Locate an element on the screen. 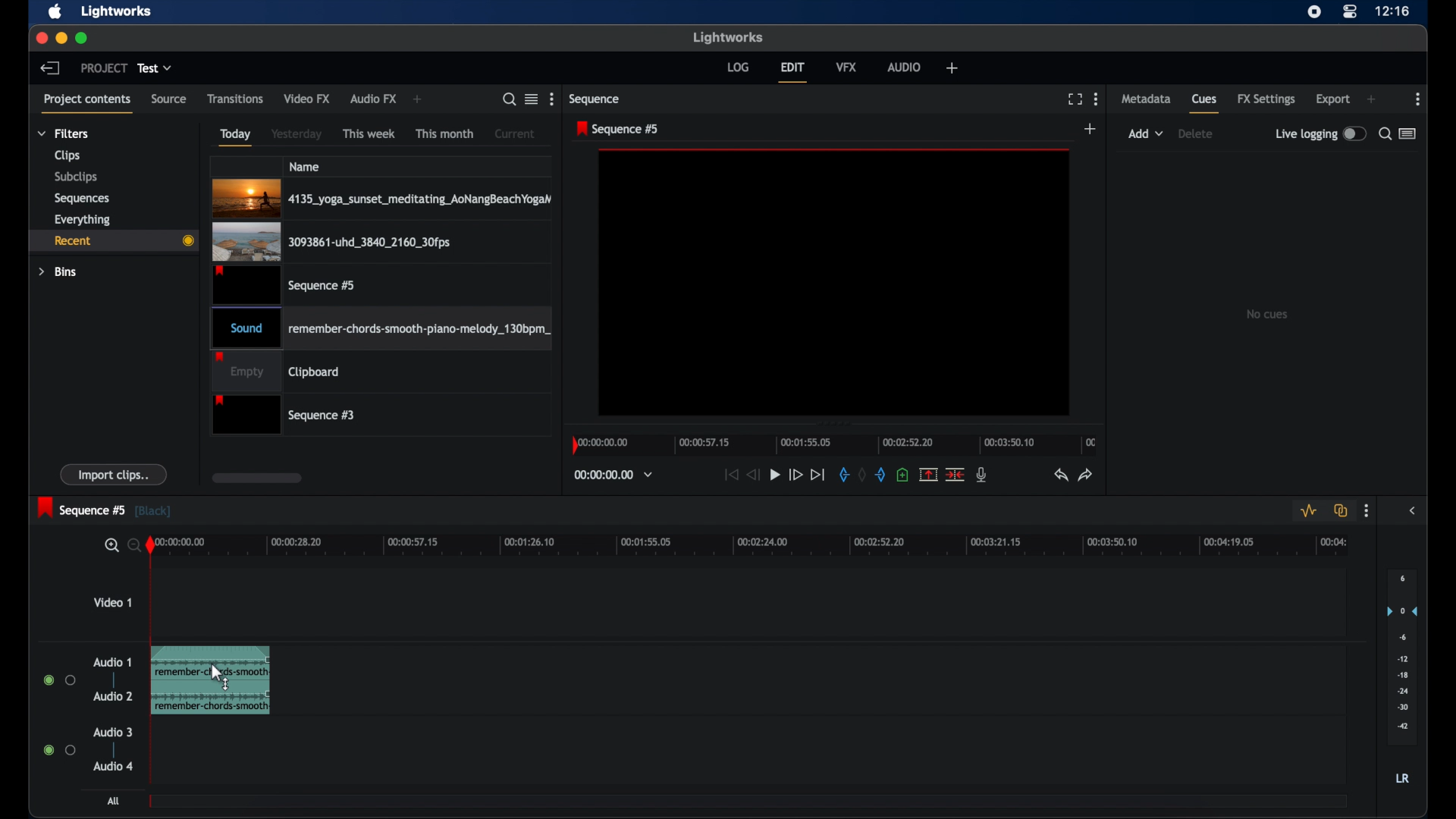  time is located at coordinates (1392, 12).